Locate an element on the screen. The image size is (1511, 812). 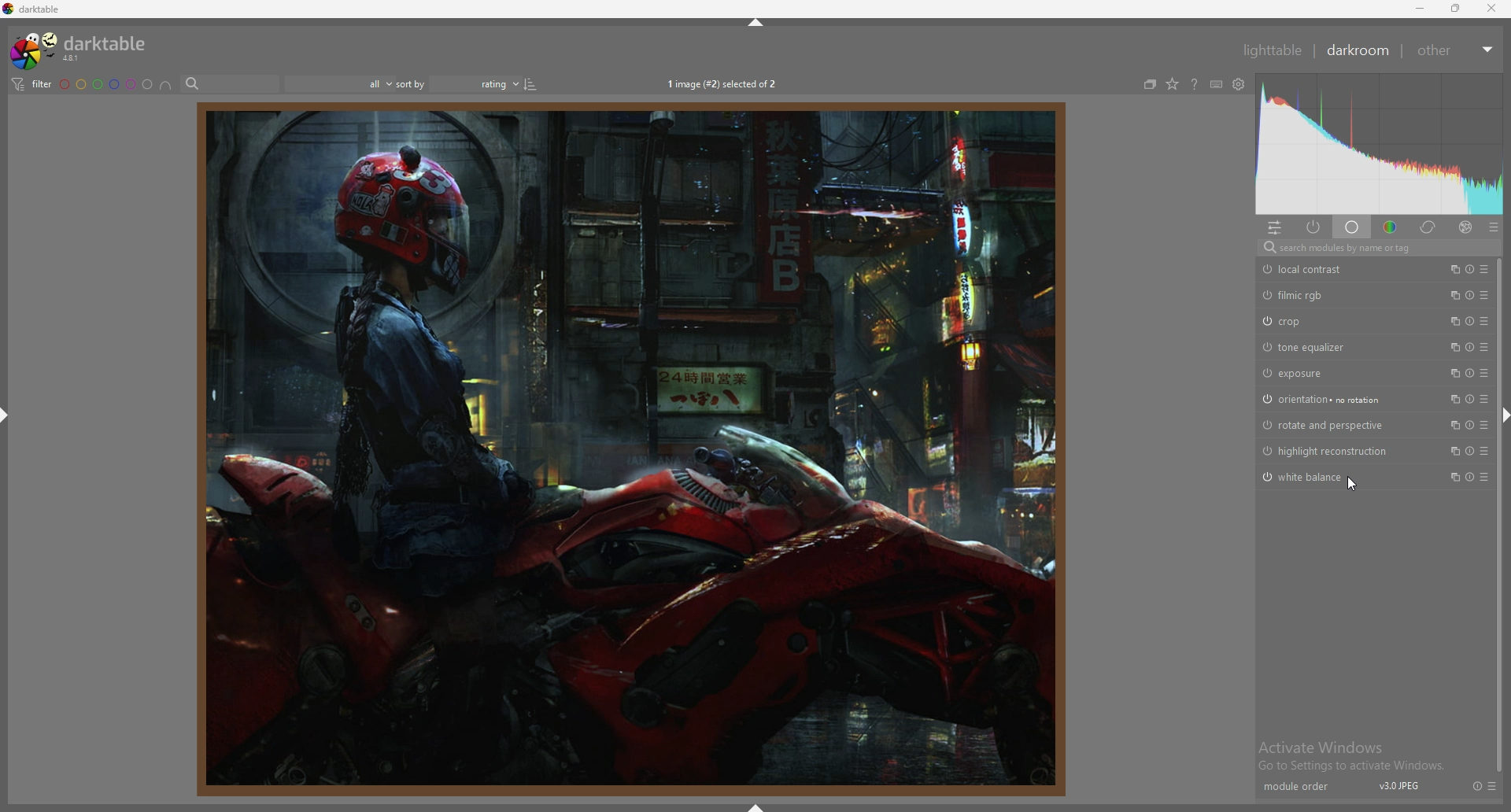
correct is located at coordinates (1428, 229).